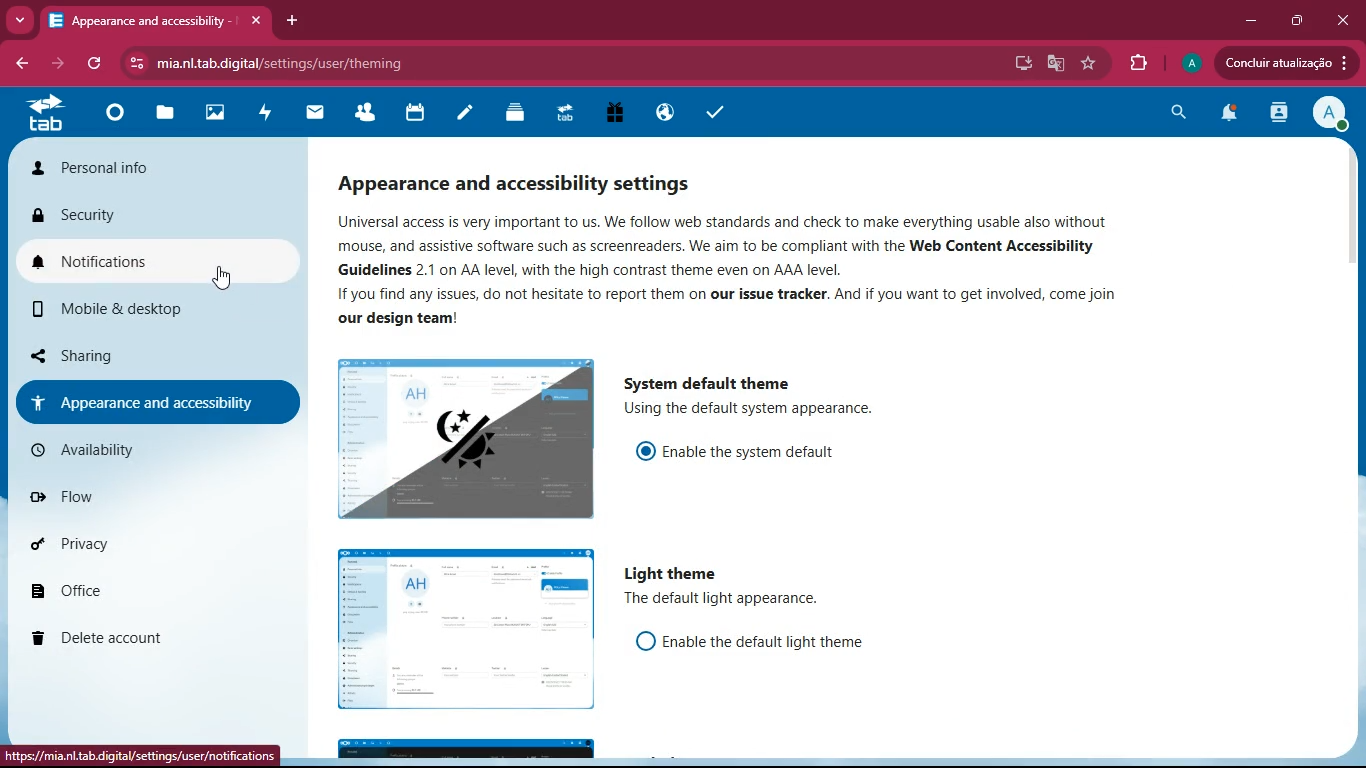  I want to click on back, so click(19, 64).